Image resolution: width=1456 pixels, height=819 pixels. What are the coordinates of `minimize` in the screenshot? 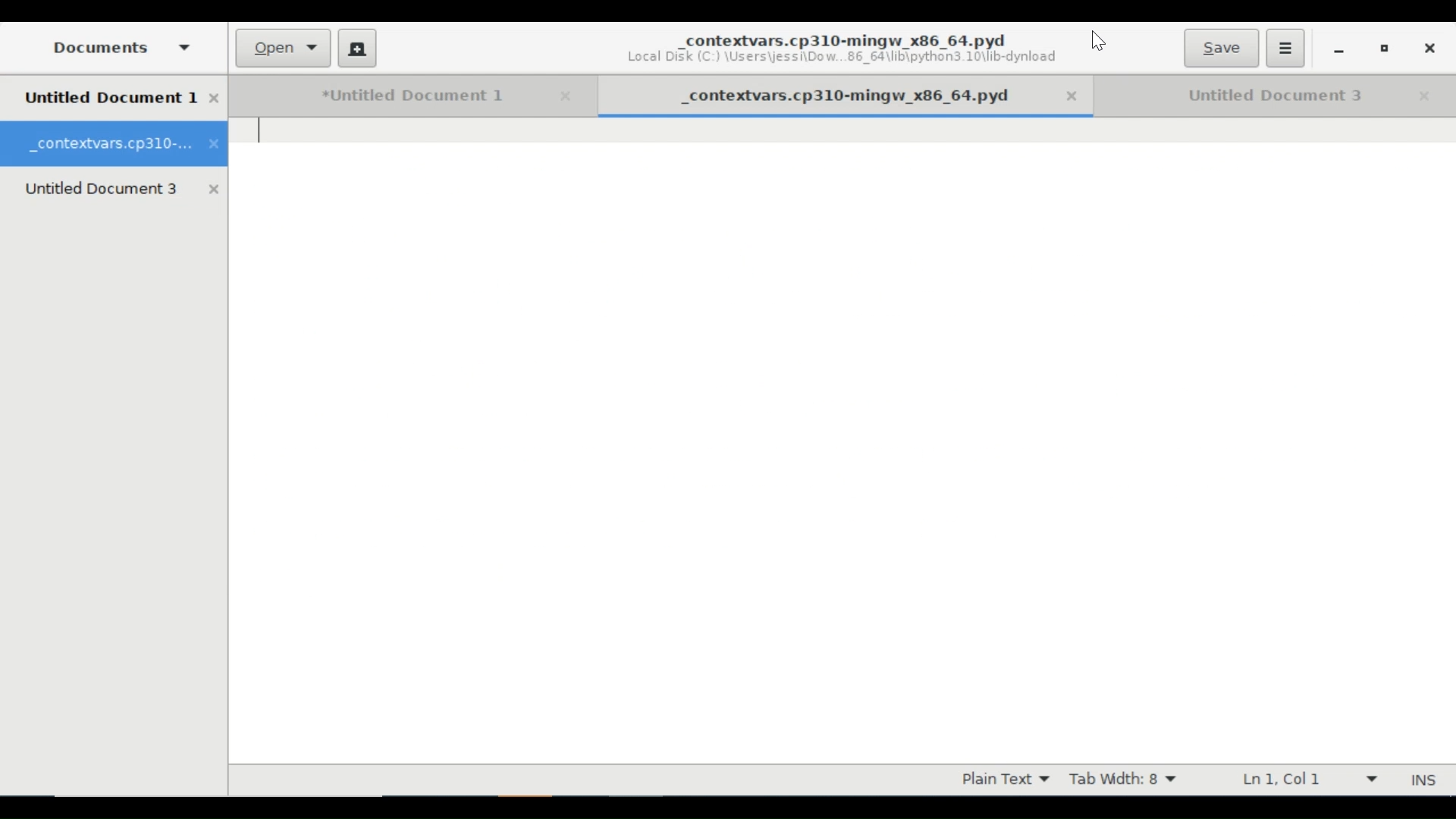 It's located at (1338, 50).